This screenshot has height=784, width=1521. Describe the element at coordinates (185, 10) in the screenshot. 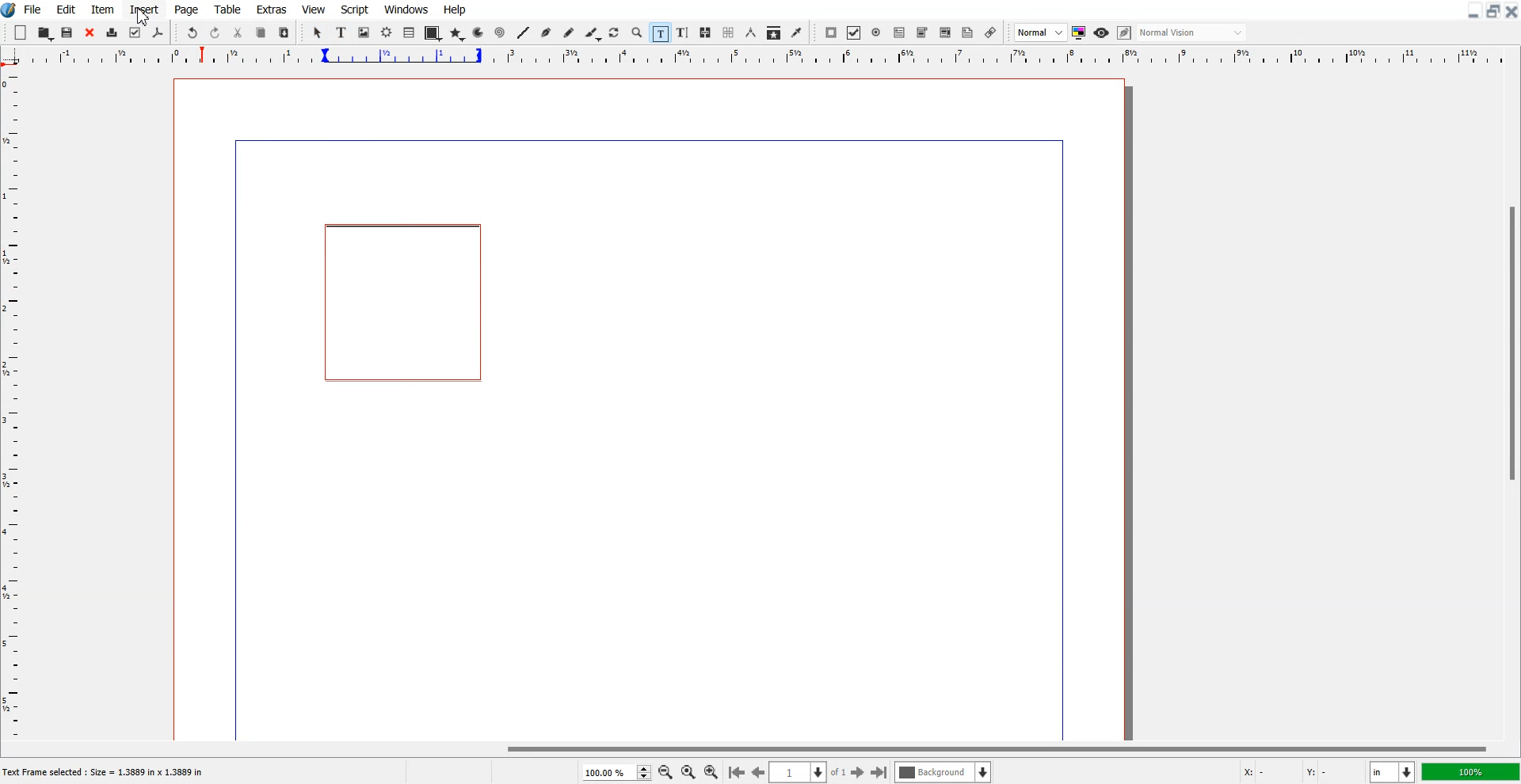

I see `Page` at that location.